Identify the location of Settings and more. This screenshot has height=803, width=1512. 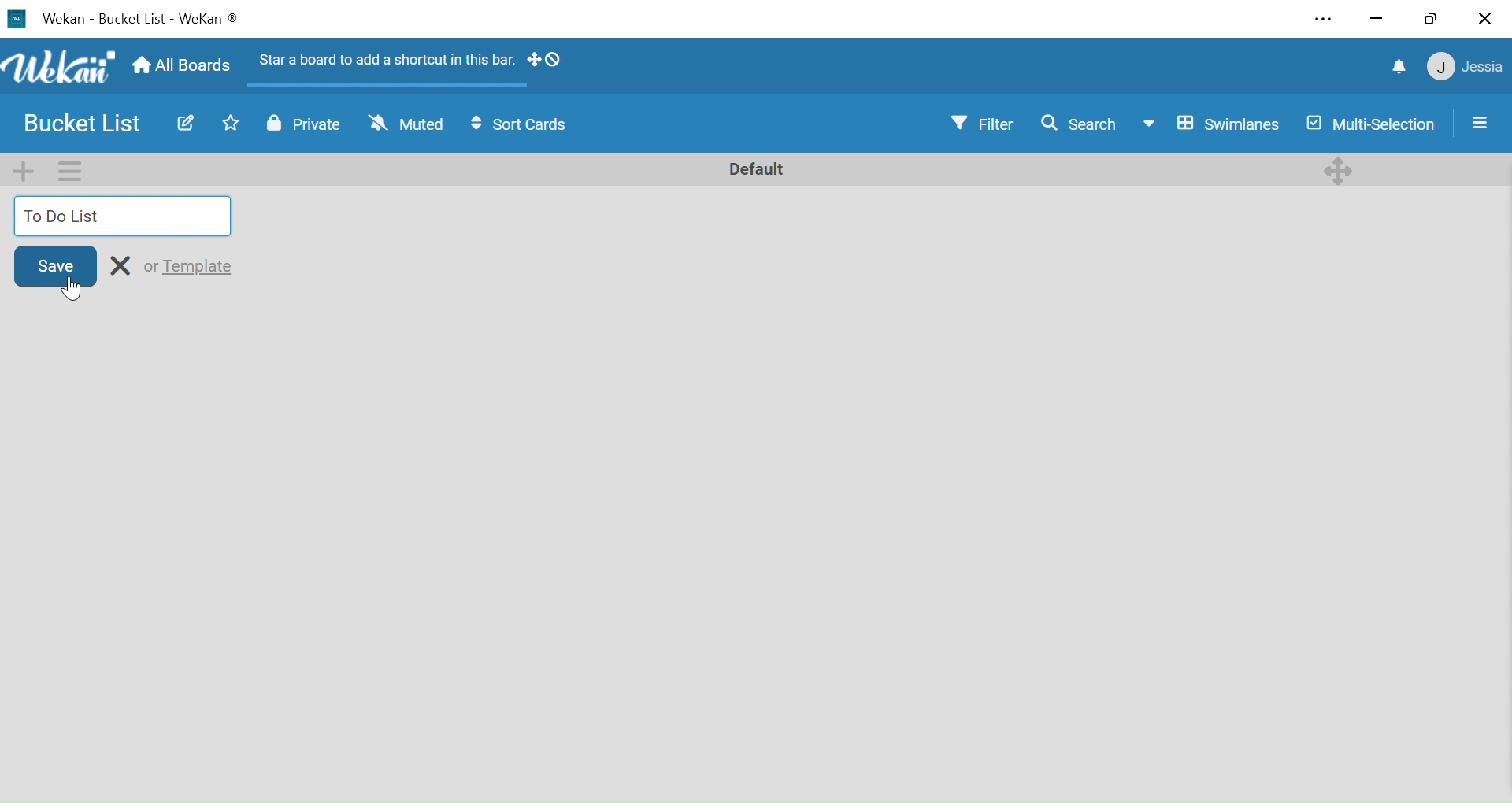
(1327, 20).